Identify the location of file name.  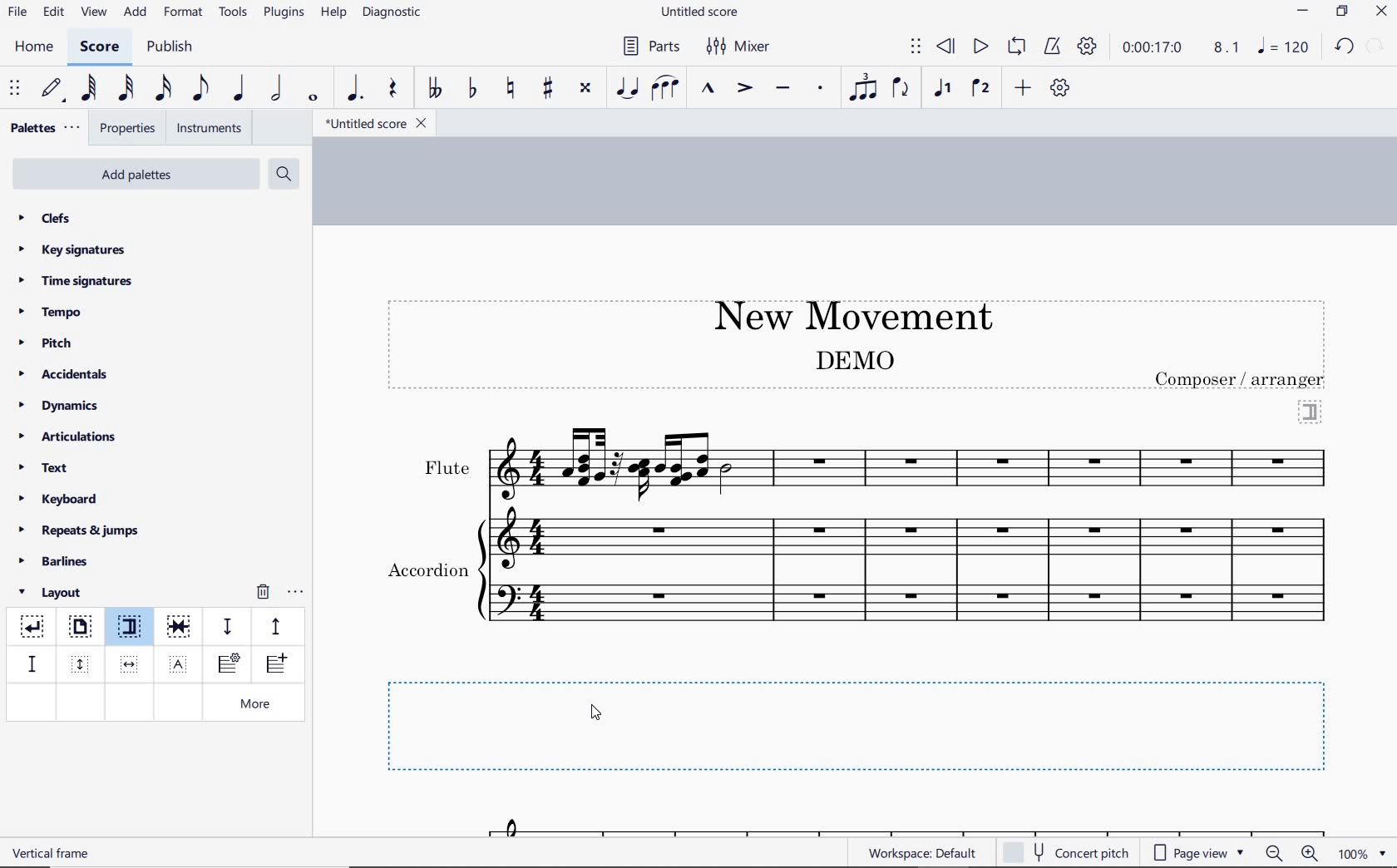
(374, 124).